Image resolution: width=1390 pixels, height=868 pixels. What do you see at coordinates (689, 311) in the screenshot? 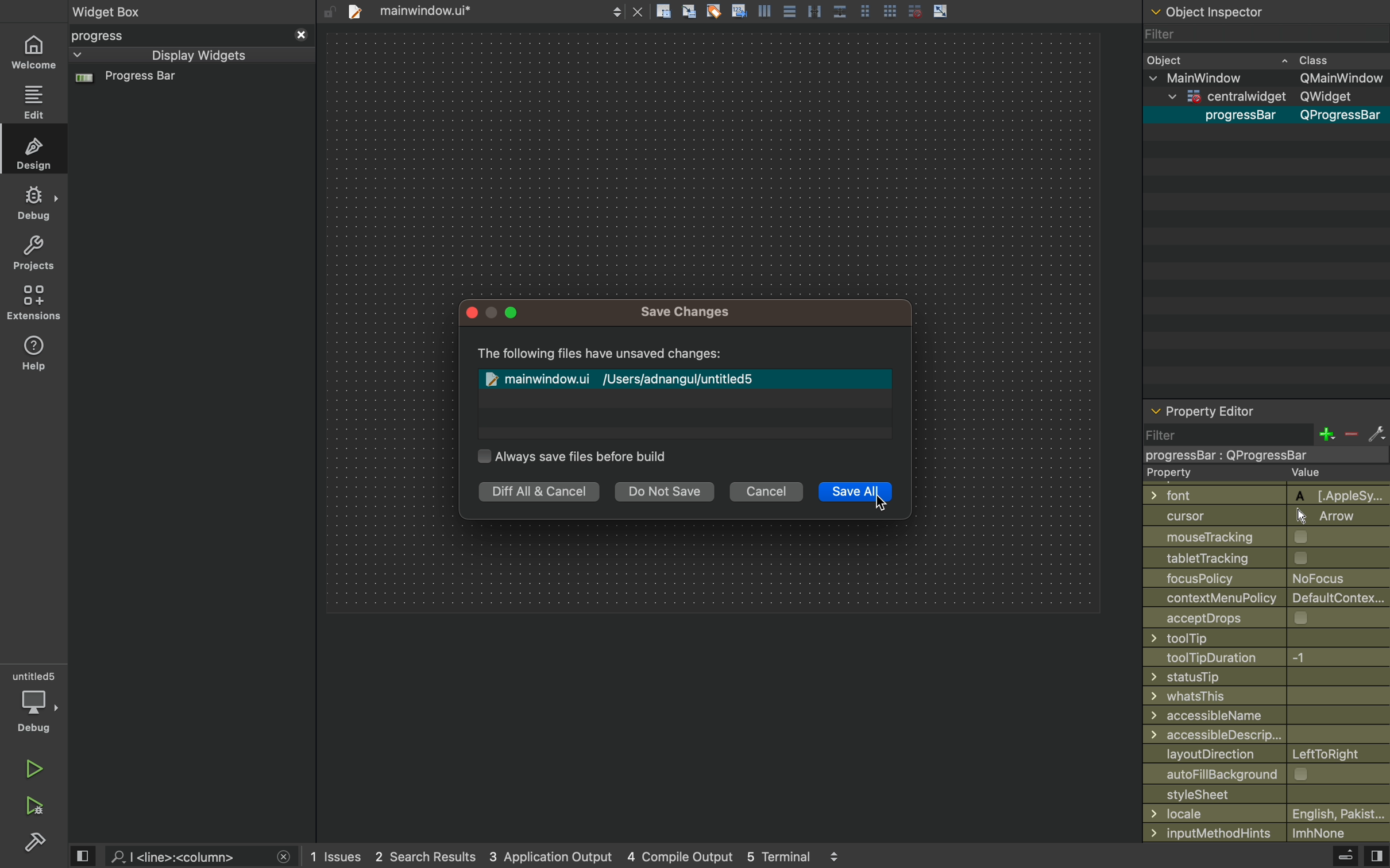
I see `Save changes` at bounding box center [689, 311].